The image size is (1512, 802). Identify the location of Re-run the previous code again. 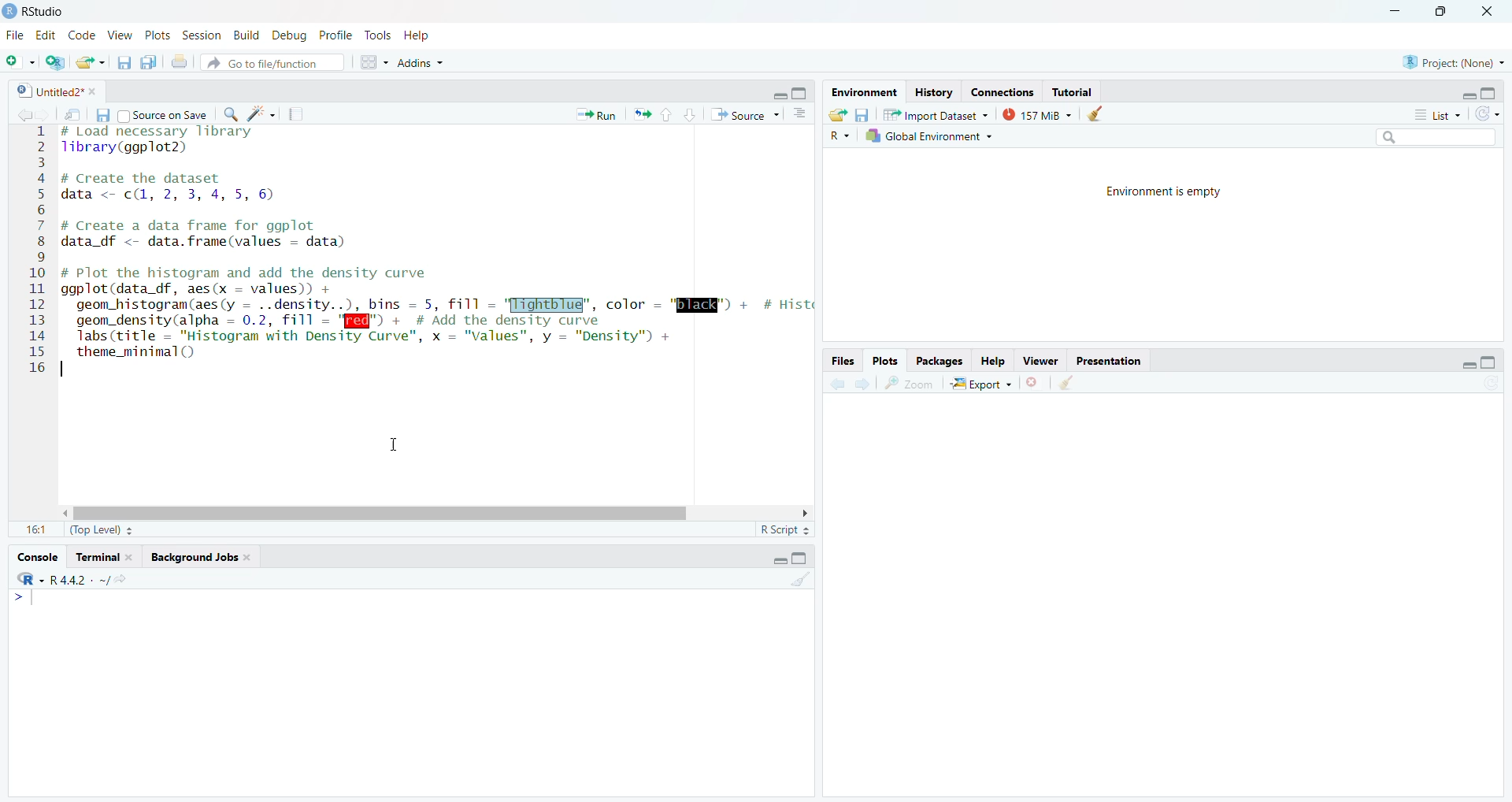
(642, 115).